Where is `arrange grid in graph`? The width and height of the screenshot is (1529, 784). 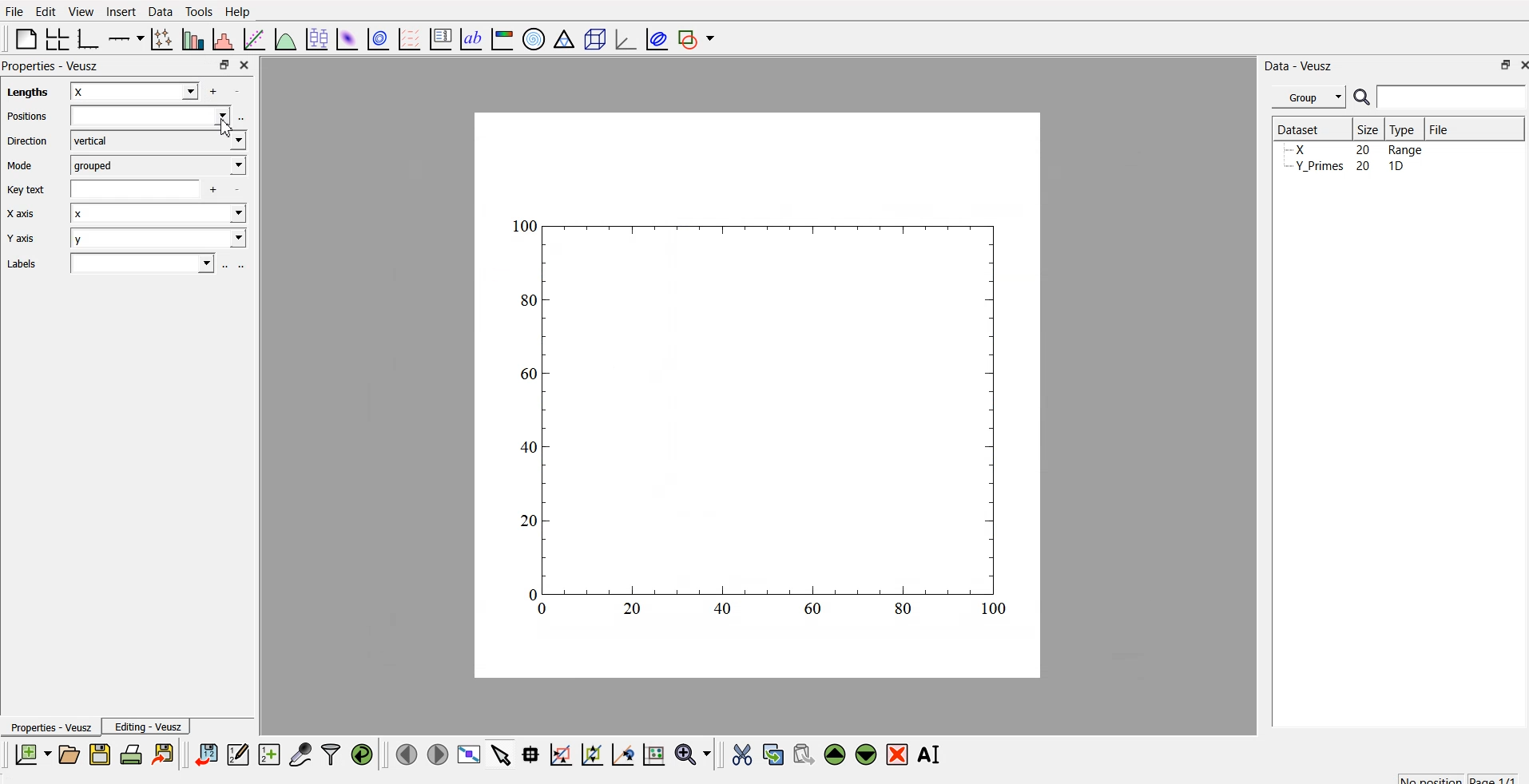 arrange grid in graph is located at coordinates (56, 37).